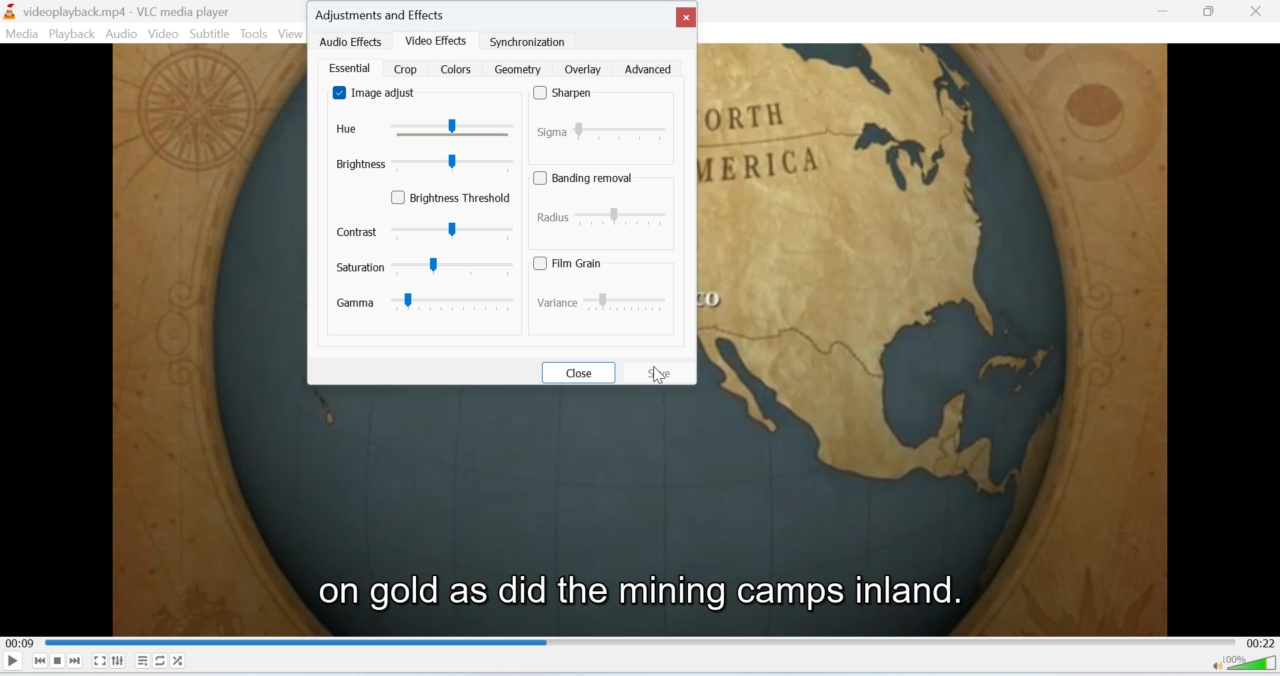 The height and width of the screenshot is (676, 1280). I want to click on Stop, so click(58, 662).